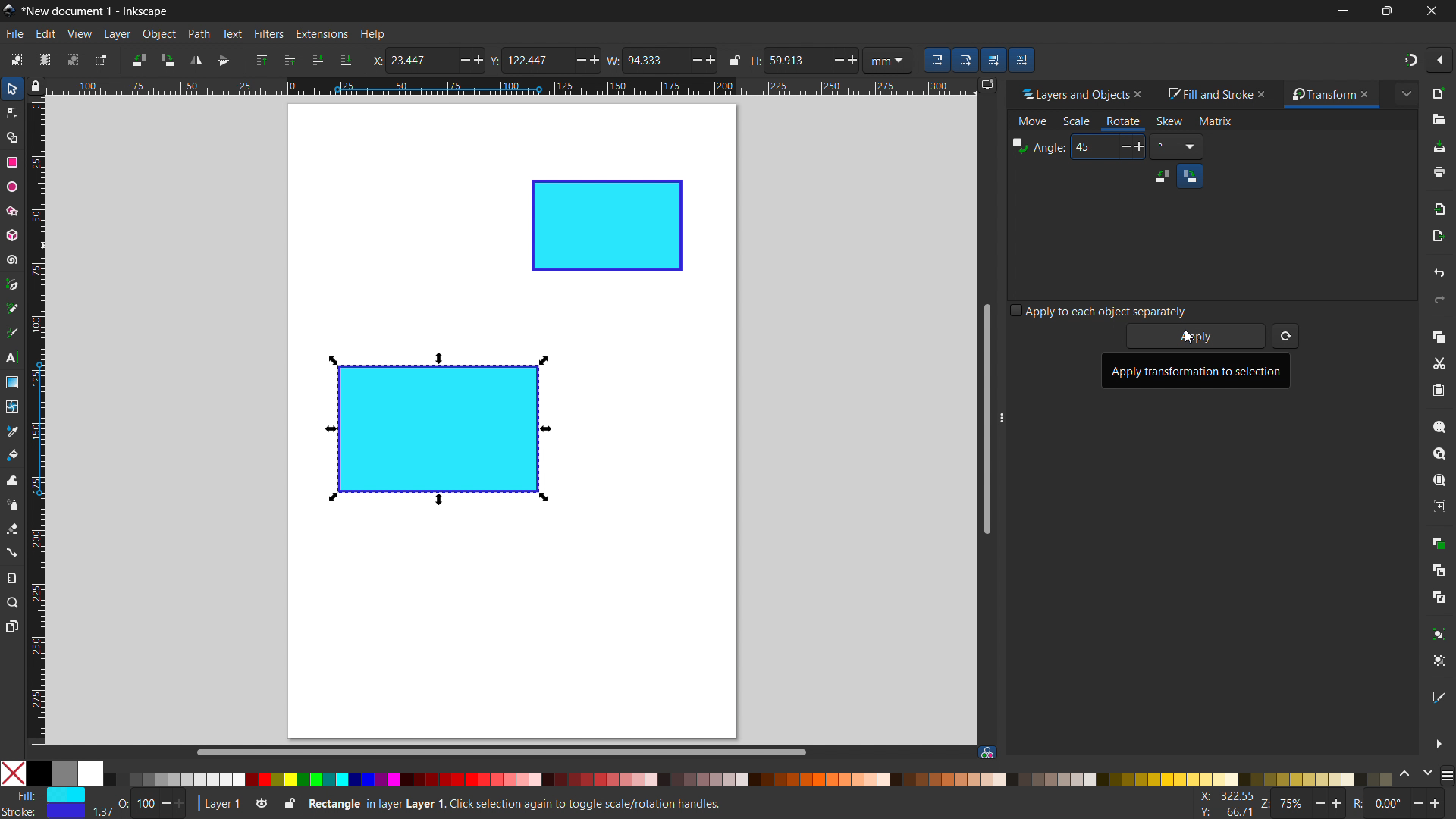 This screenshot has height=819, width=1456. Describe the element at coordinates (643, 59) in the screenshot. I see `W: 94.333` at that location.